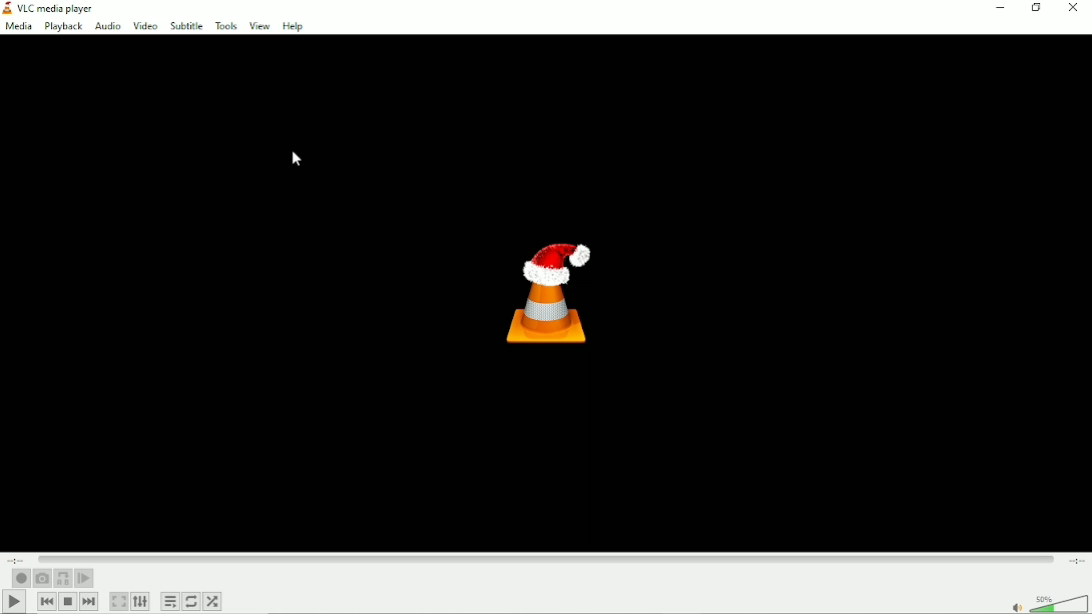  Describe the element at coordinates (257, 26) in the screenshot. I see `View` at that location.